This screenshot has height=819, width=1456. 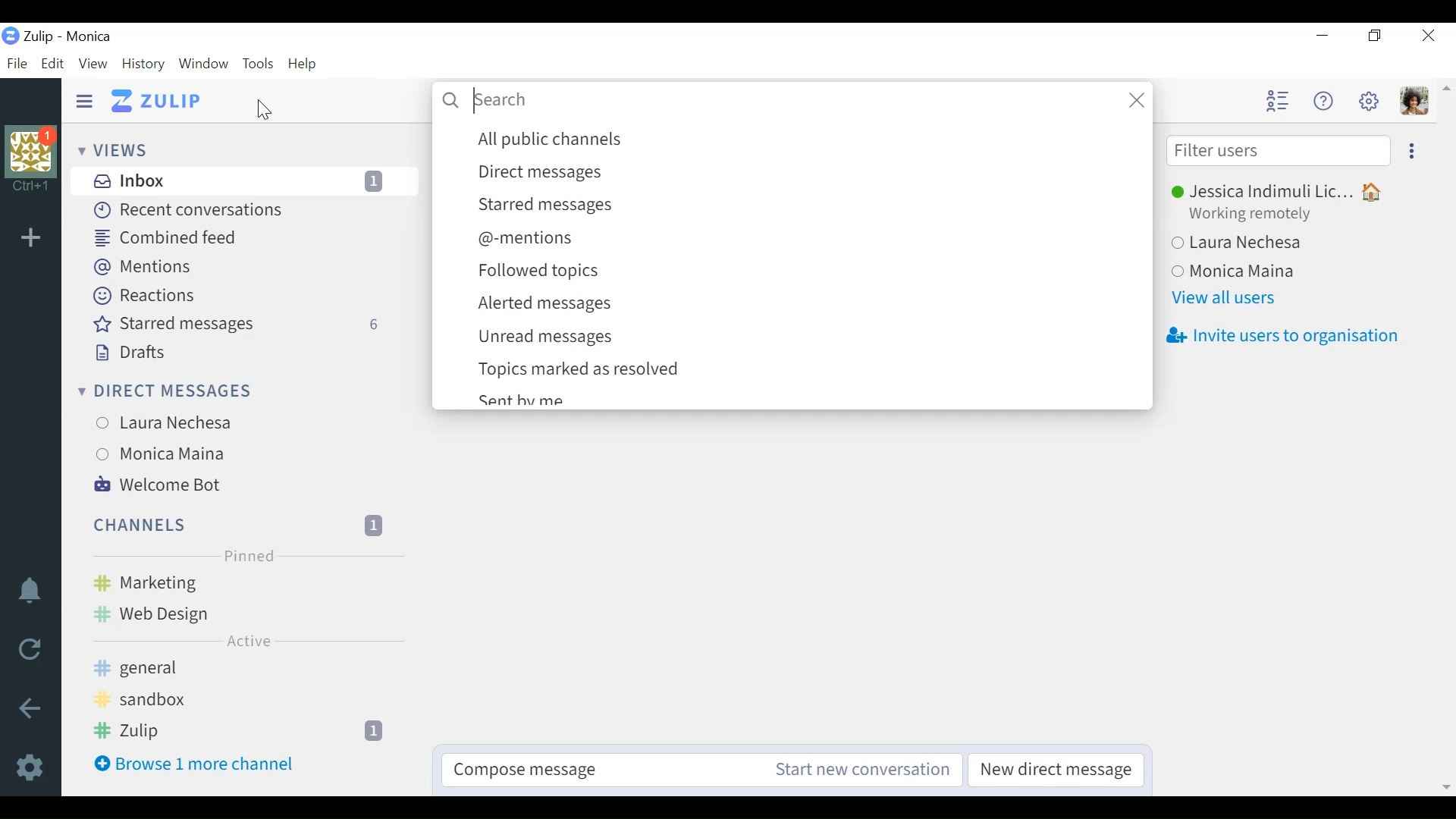 I want to click on Alerted messages, so click(x=807, y=304).